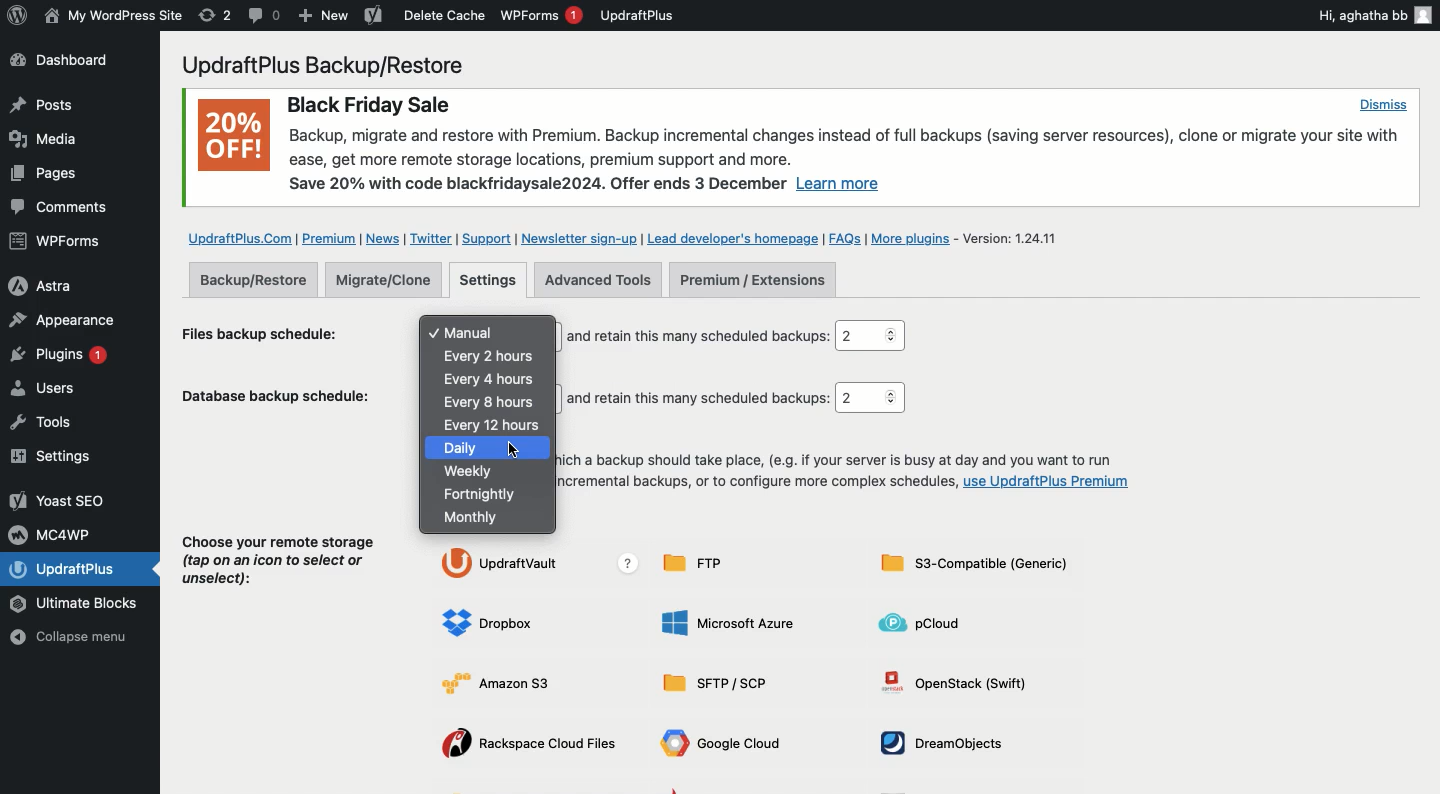  Describe the element at coordinates (331, 239) in the screenshot. I see `Premium ` at that location.